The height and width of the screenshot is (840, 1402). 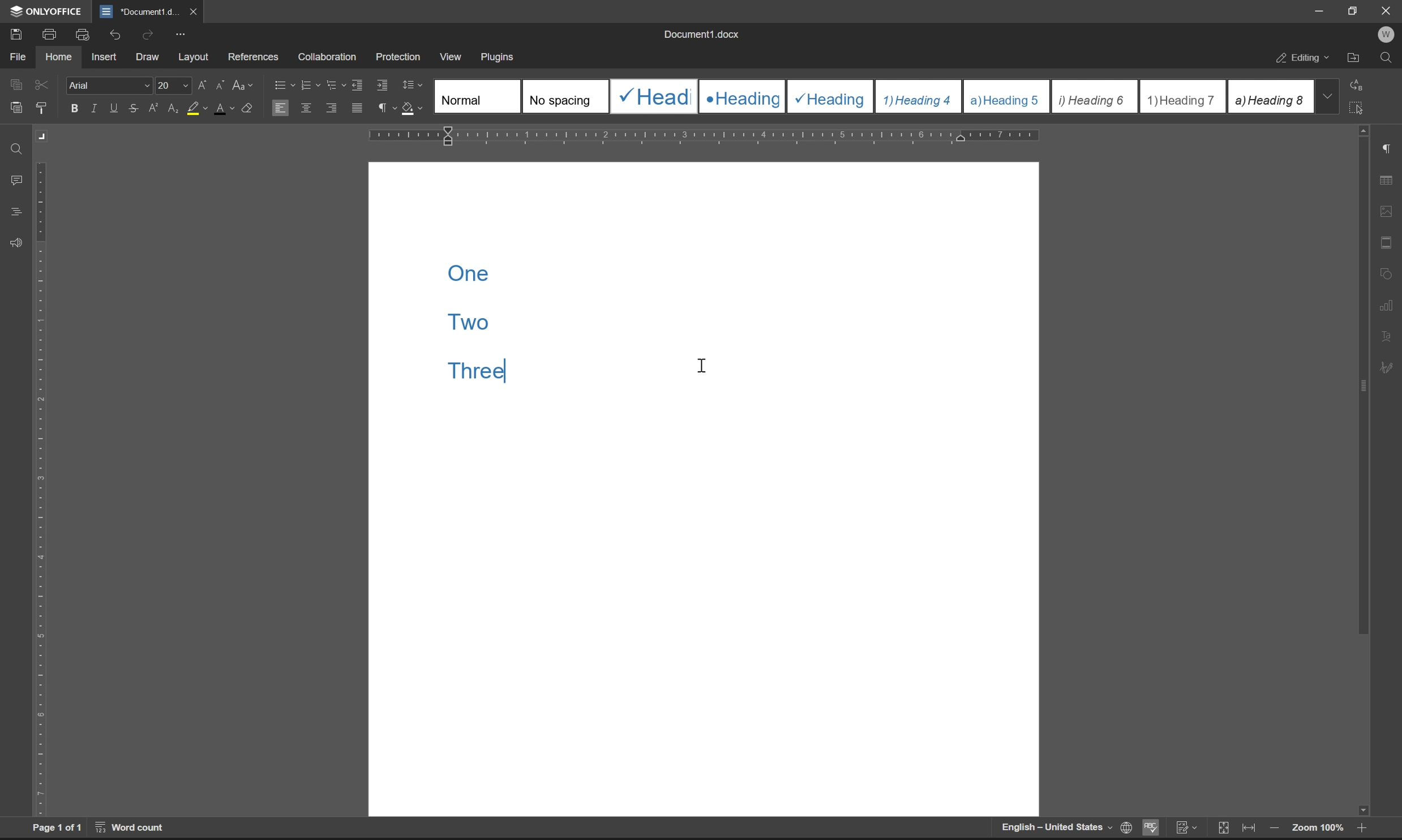 What do you see at coordinates (96, 108) in the screenshot?
I see `italic` at bounding box center [96, 108].